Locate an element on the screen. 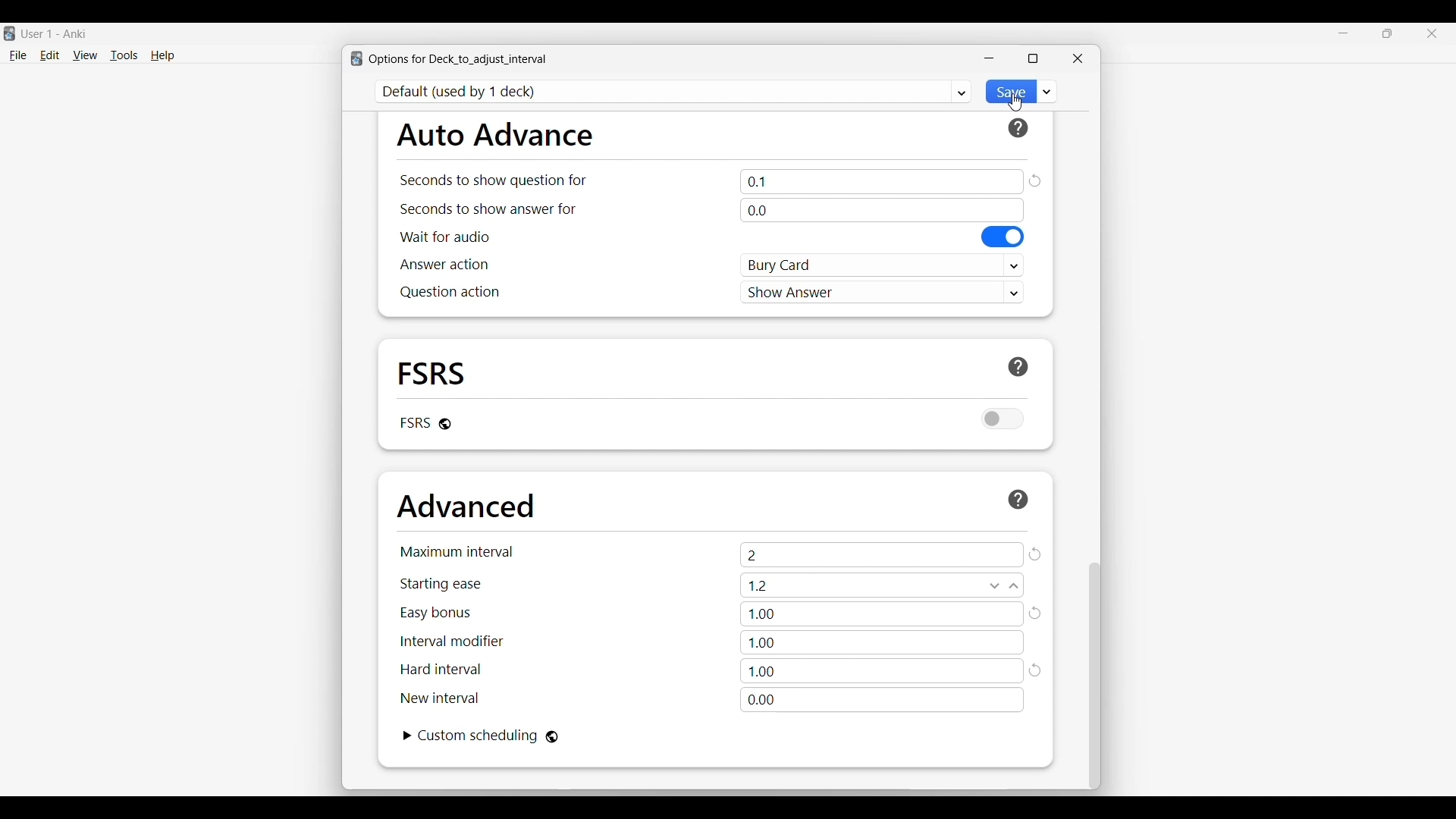 The image size is (1456, 819). Indicates answer action is located at coordinates (444, 264).